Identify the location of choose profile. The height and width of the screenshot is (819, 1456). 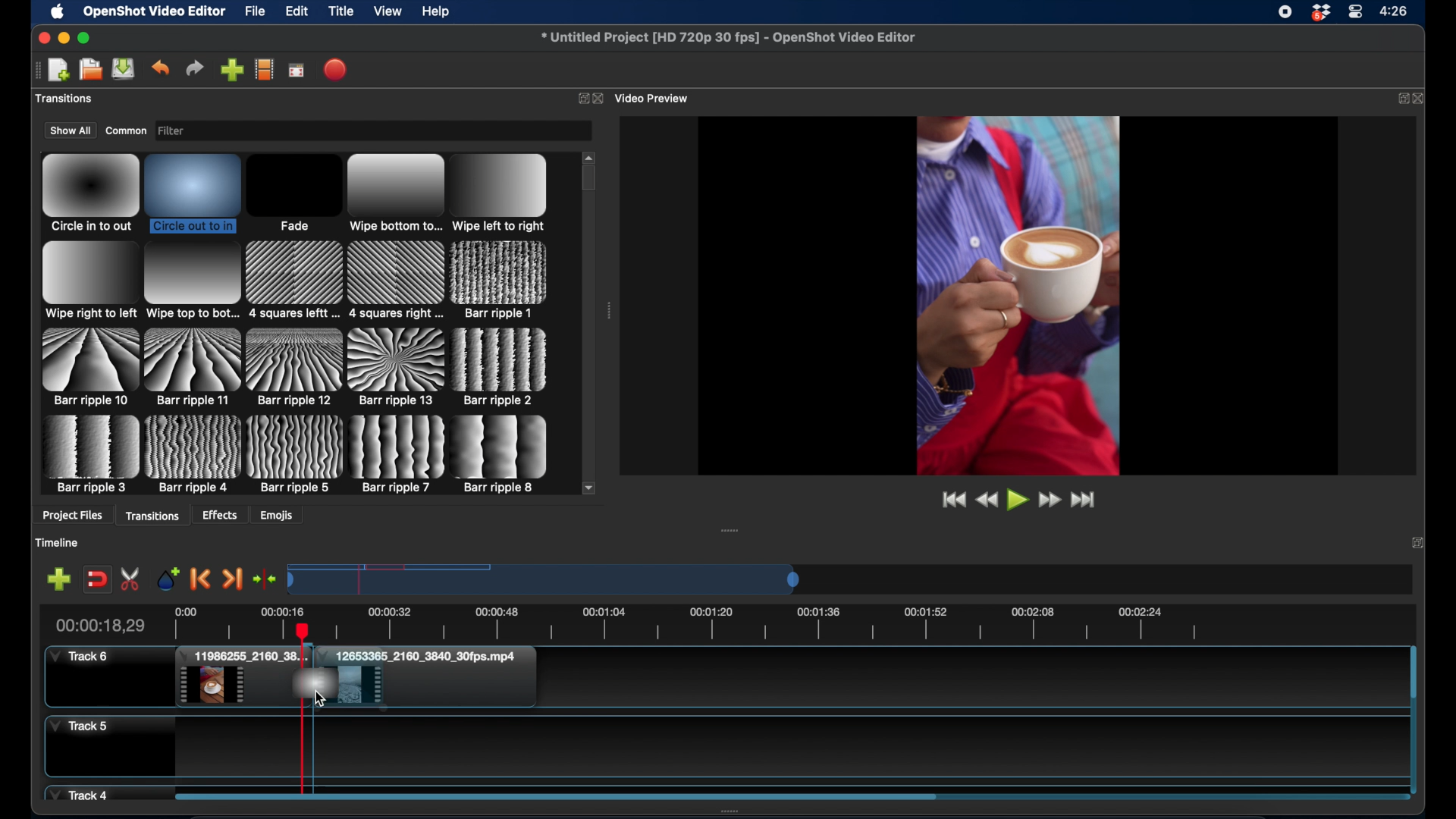
(264, 69).